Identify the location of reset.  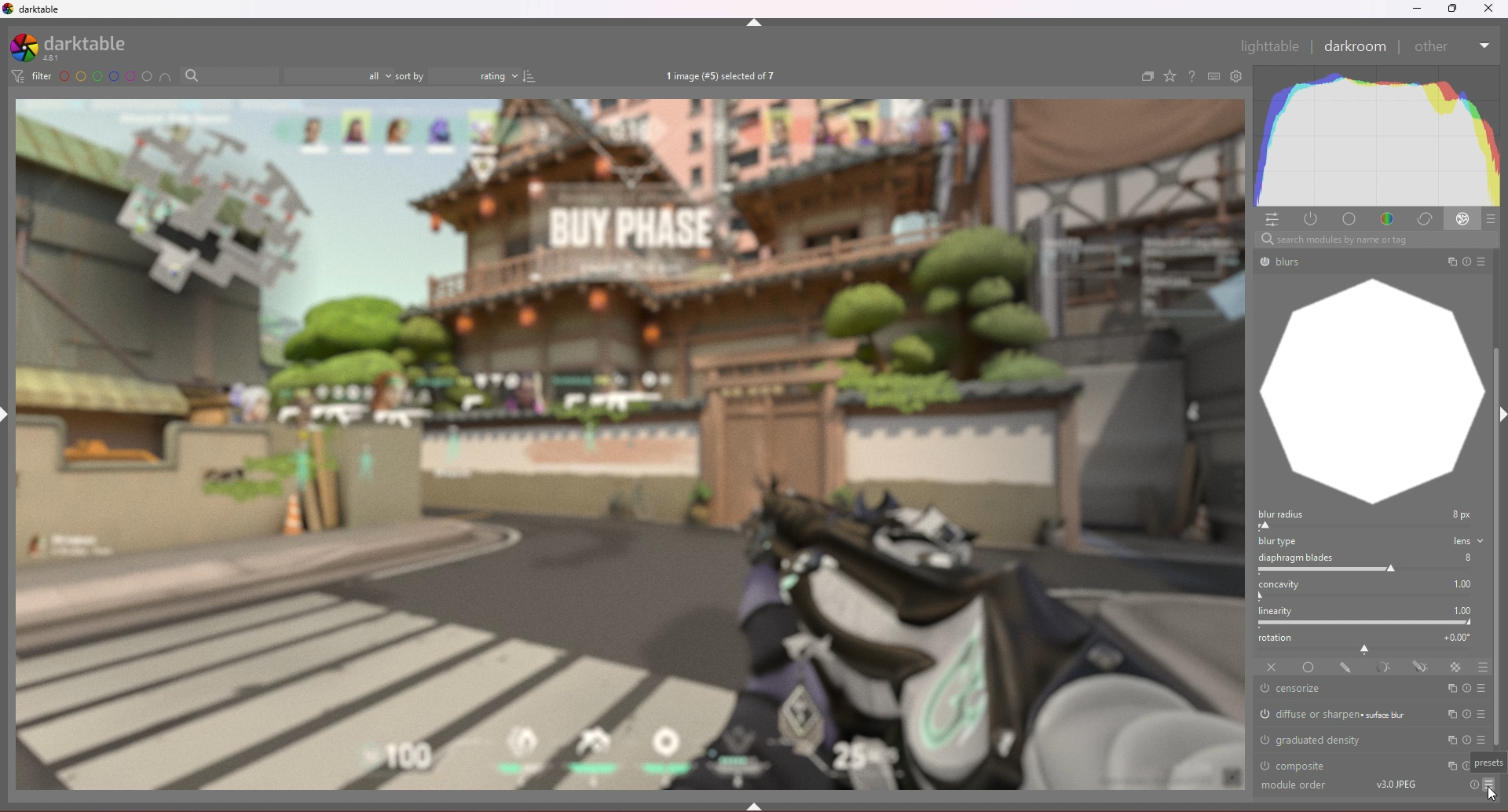
(1468, 688).